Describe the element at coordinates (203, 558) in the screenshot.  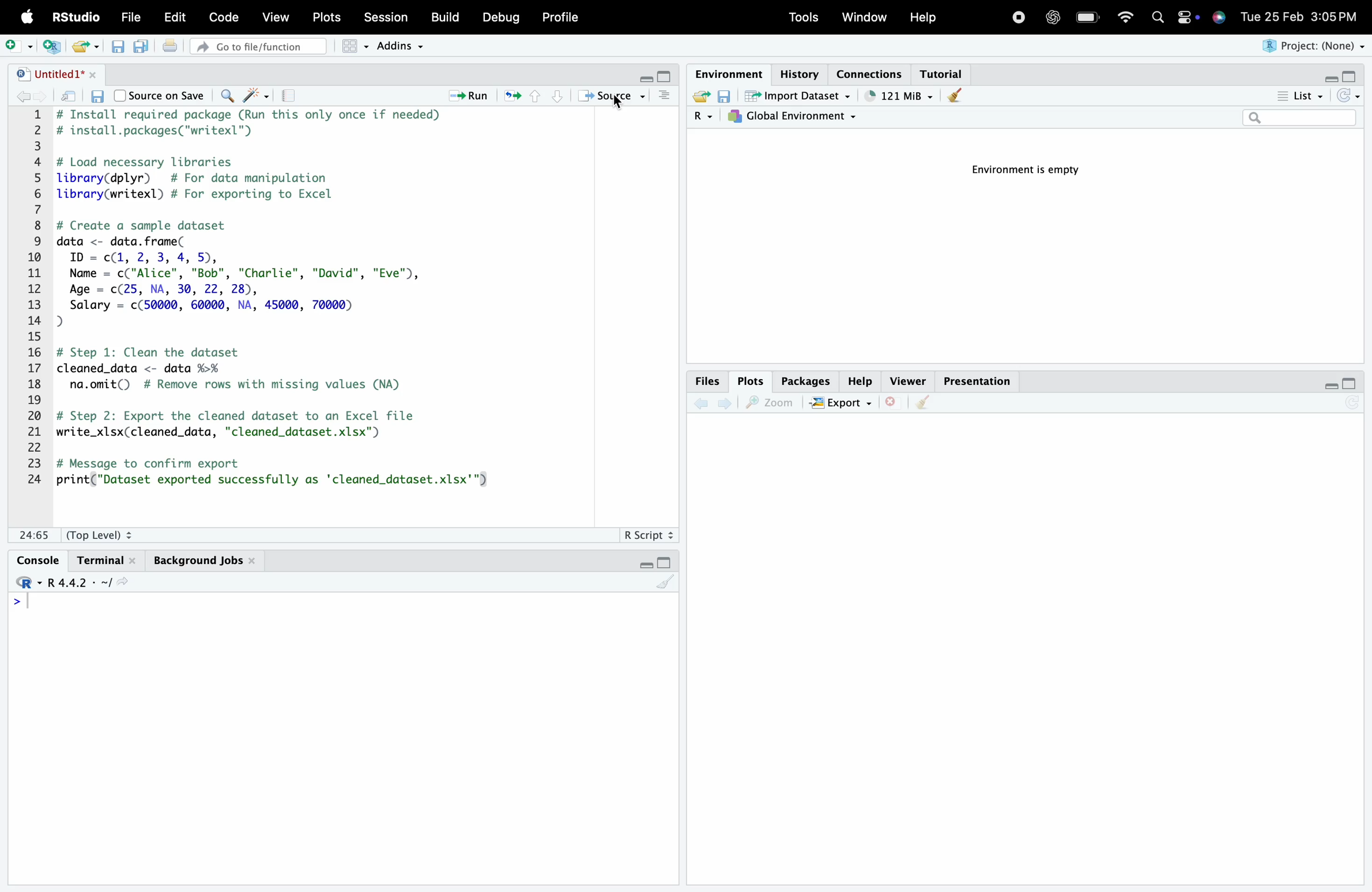
I see `Background Jobs` at that location.